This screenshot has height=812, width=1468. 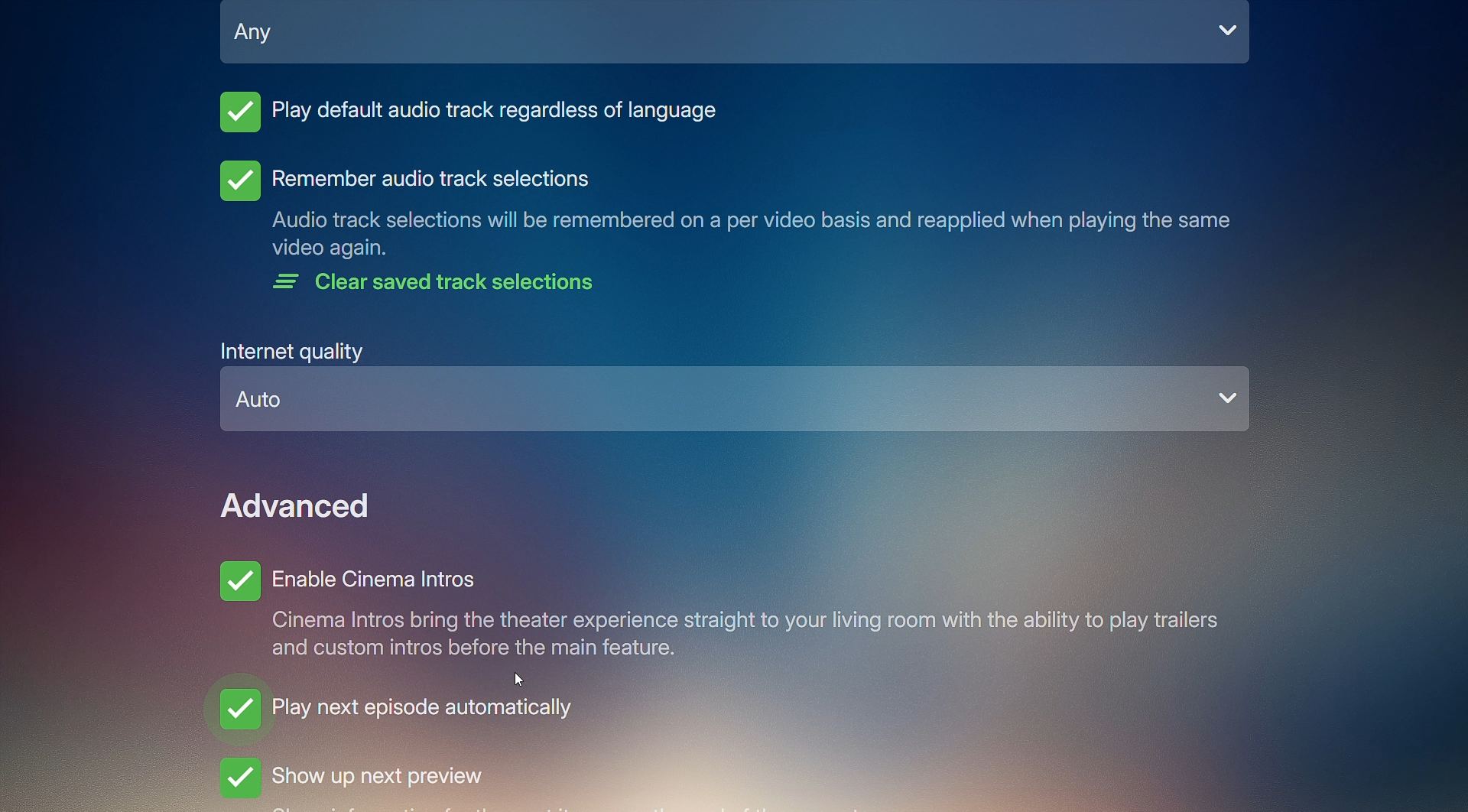 I want to click on cursor, so click(x=524, y=678).